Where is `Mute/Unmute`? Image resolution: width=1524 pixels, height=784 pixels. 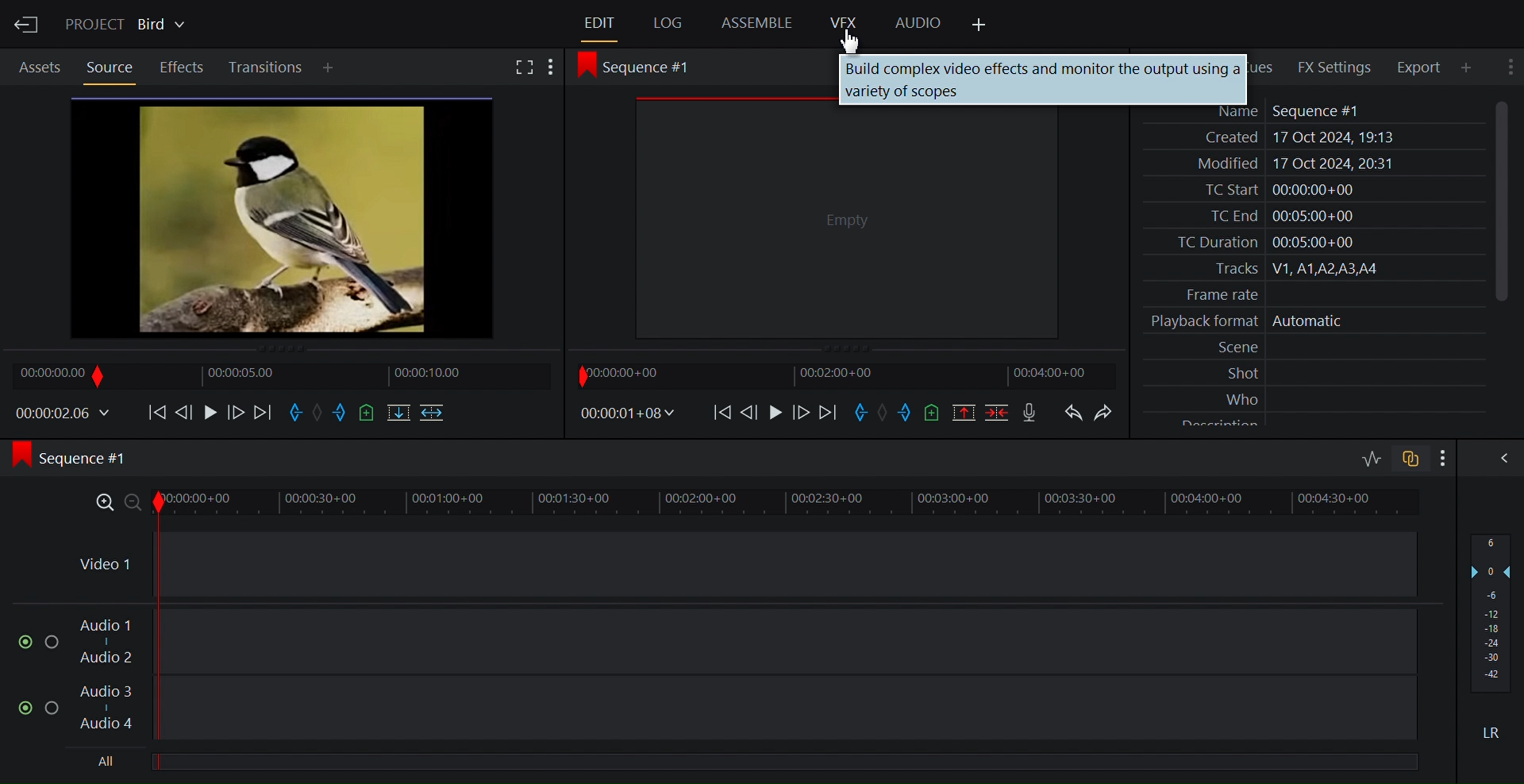 Mute/Unmute is located at coordinates (16, 640).